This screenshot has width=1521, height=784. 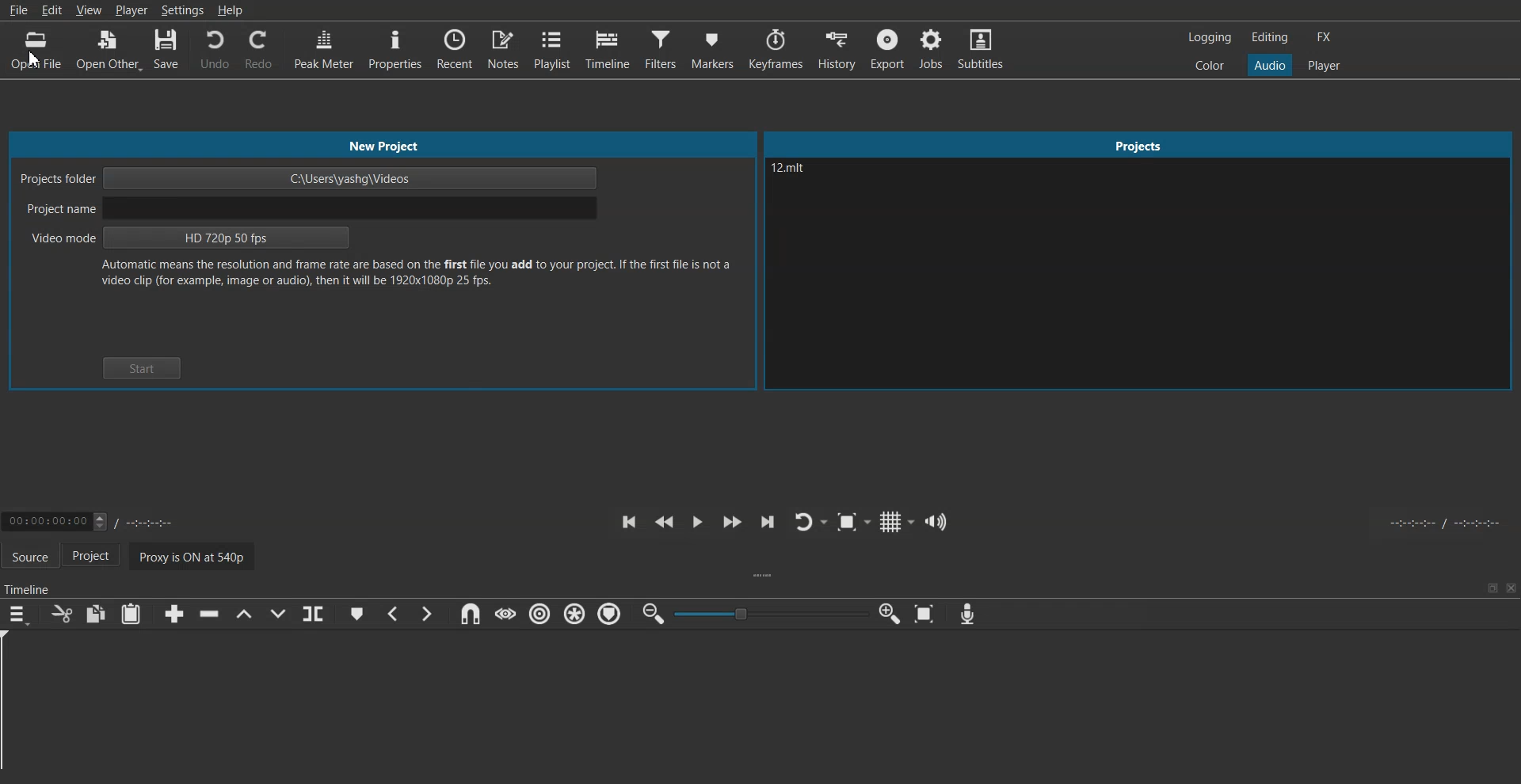 I want to click on Notes, so click(x=505, y=49).